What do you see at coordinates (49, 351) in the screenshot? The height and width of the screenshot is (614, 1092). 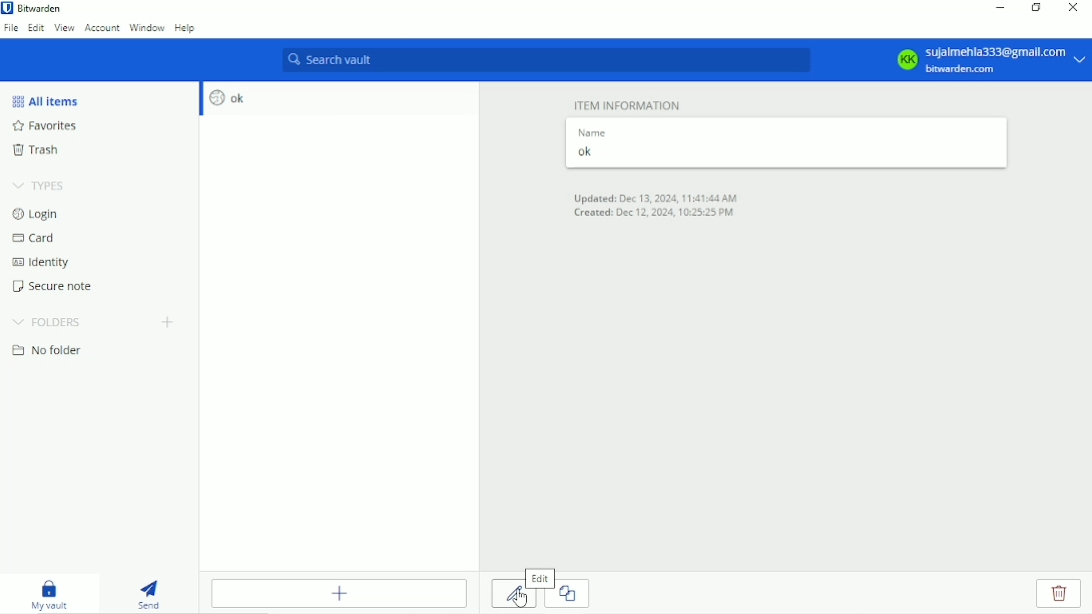 I see `No folder` at bounding box center [49, 351].